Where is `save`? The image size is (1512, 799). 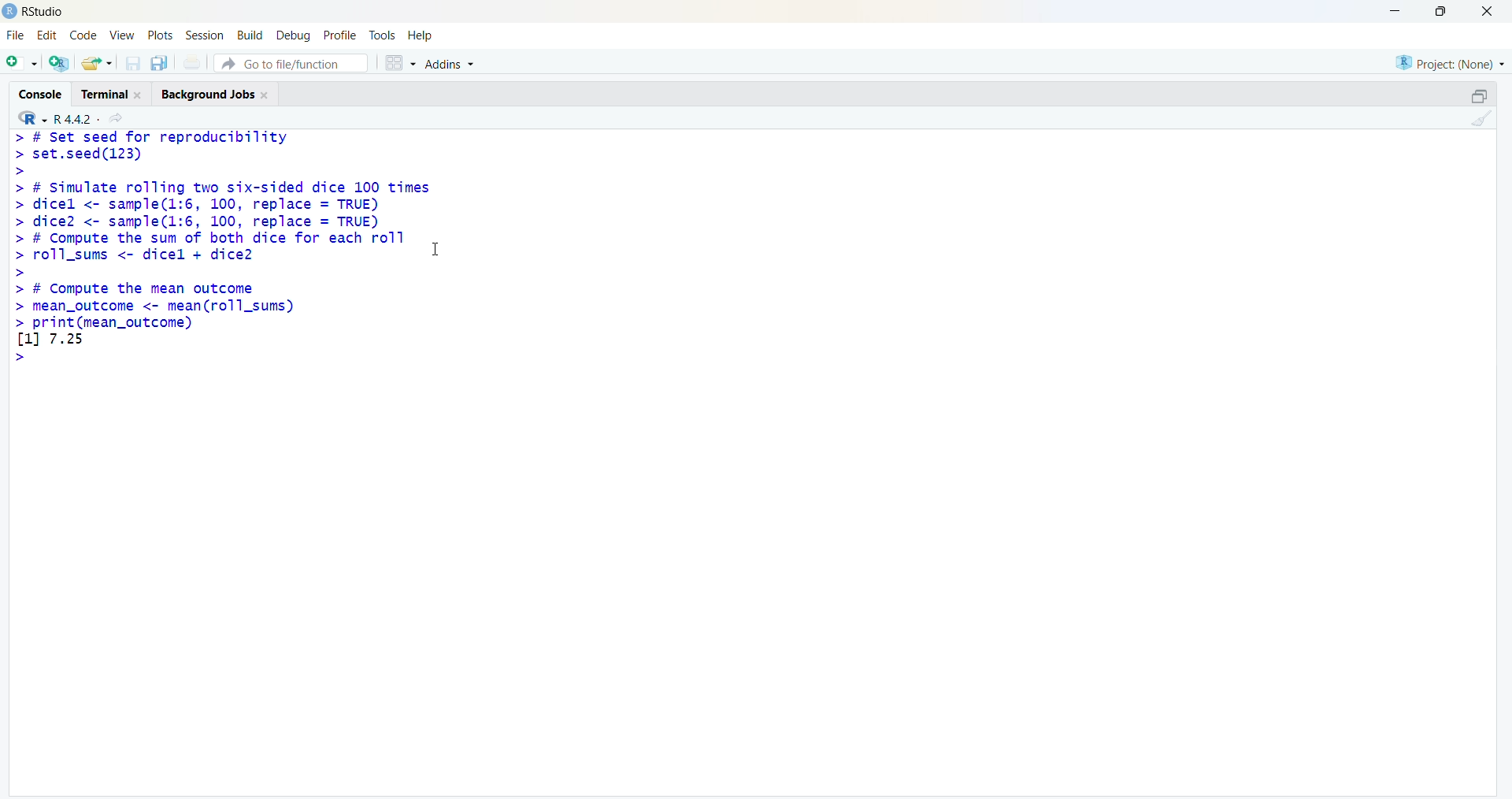 save is located at coordinates (132, 63).